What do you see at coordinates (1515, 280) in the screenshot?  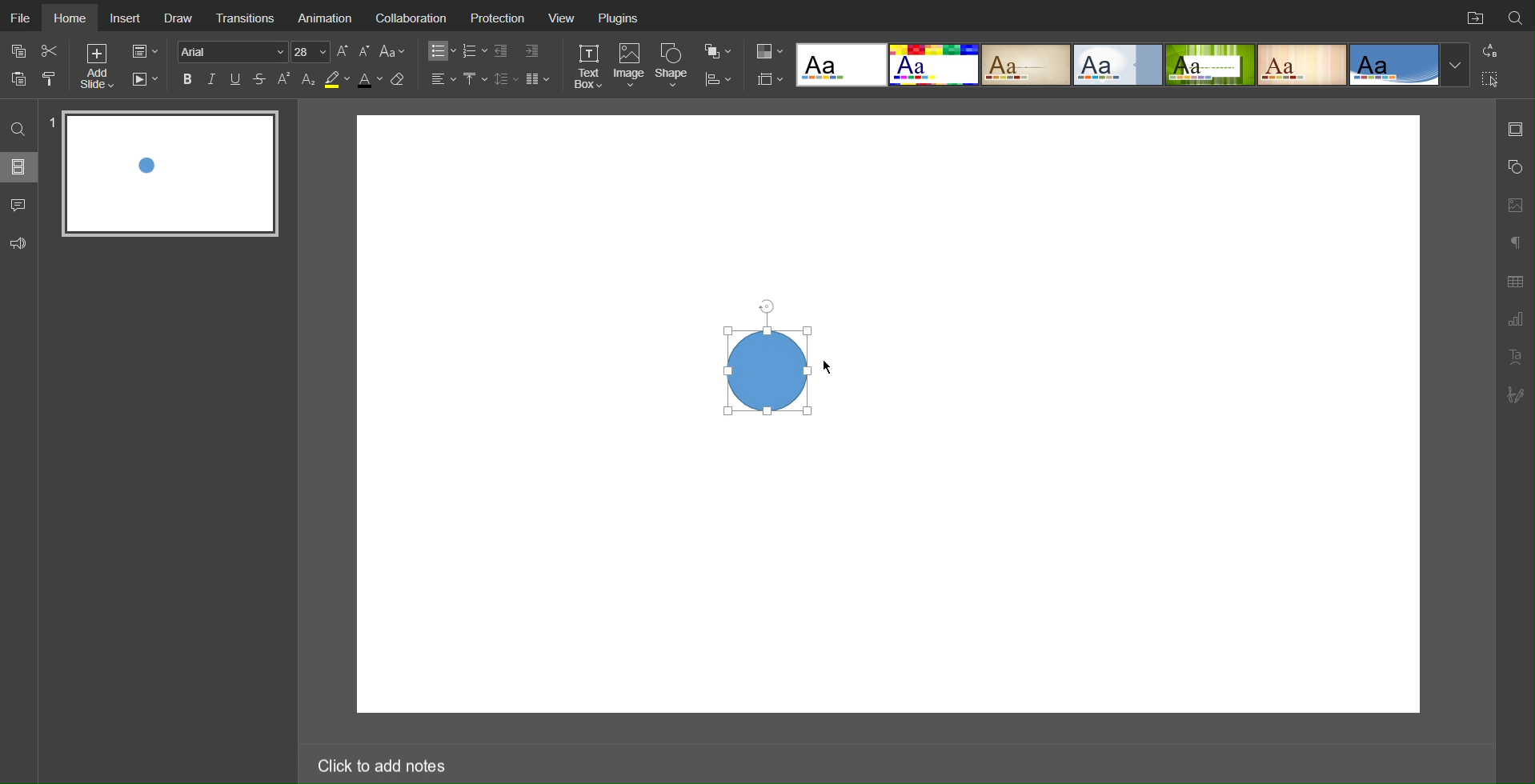 I see `Table Settings` at bounding box center [1515, 280].